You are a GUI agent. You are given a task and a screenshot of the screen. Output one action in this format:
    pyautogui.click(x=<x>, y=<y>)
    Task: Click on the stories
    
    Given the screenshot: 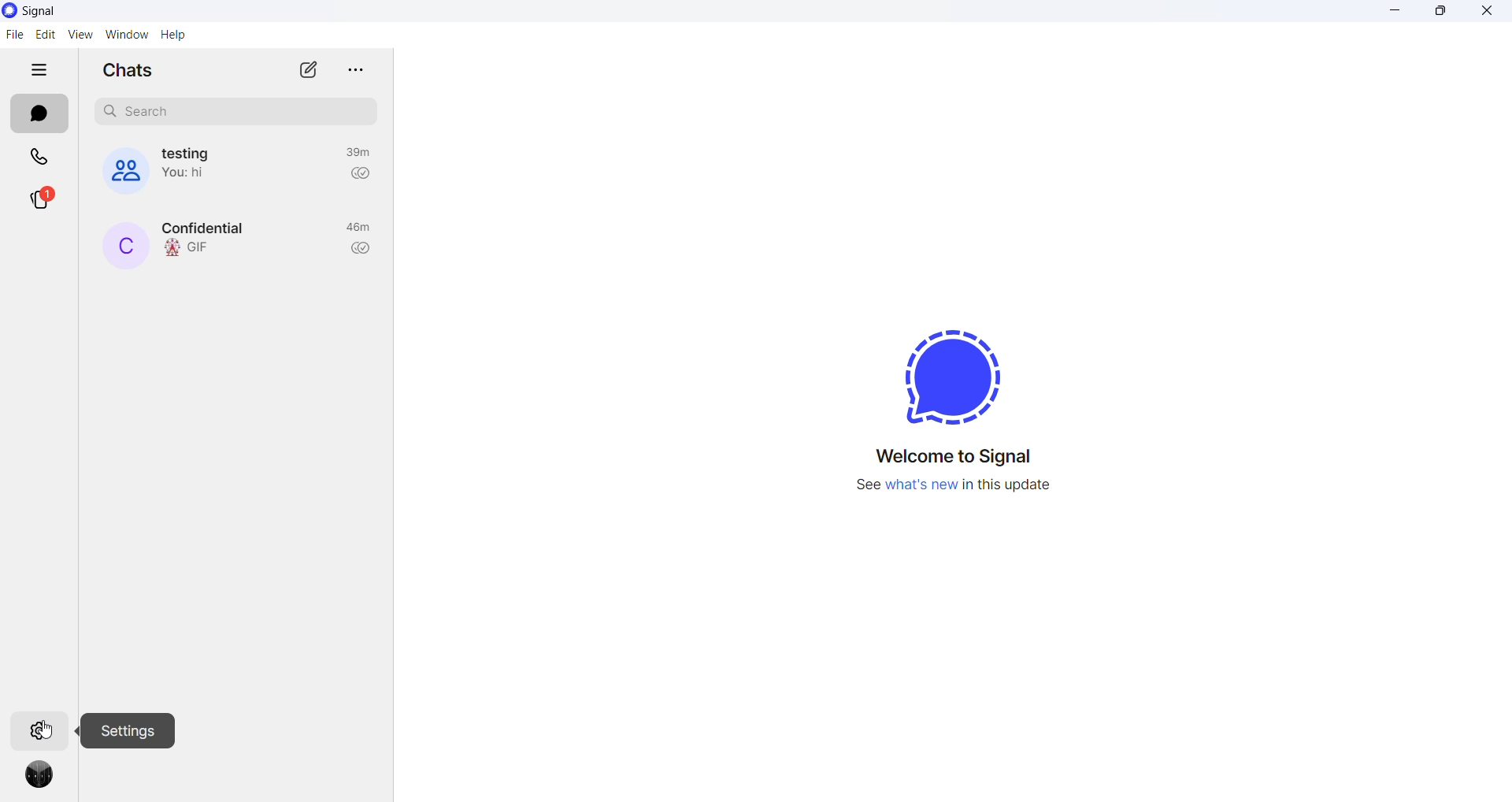 What is the action you would take?
    pyautogui.click(x=39, y=204)
    